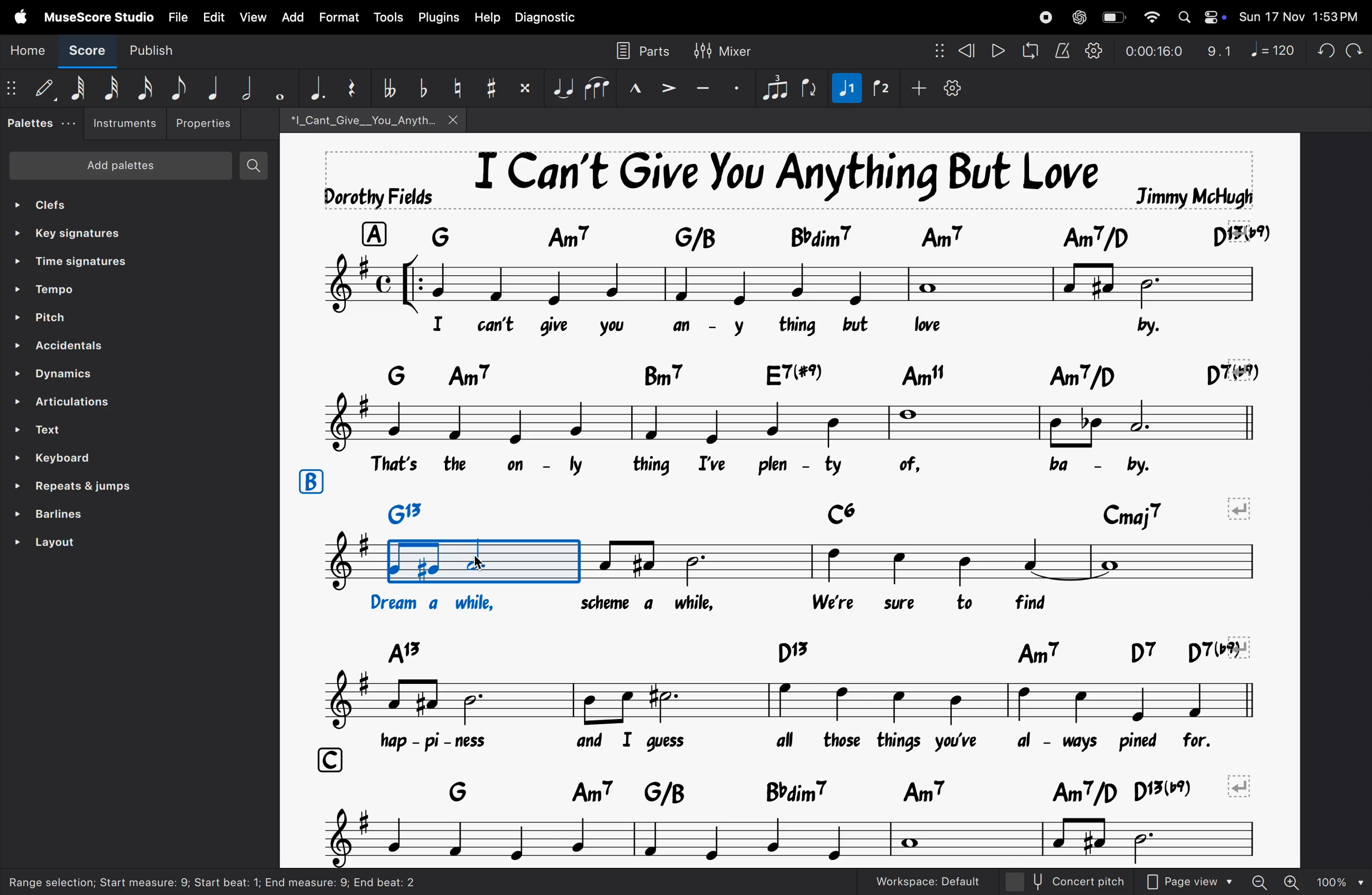 This screenshot has height=895, width=1372. Describe the element at coordinates (1299, 882) in the screenshot. I see `zoom out zoom in` at that location.